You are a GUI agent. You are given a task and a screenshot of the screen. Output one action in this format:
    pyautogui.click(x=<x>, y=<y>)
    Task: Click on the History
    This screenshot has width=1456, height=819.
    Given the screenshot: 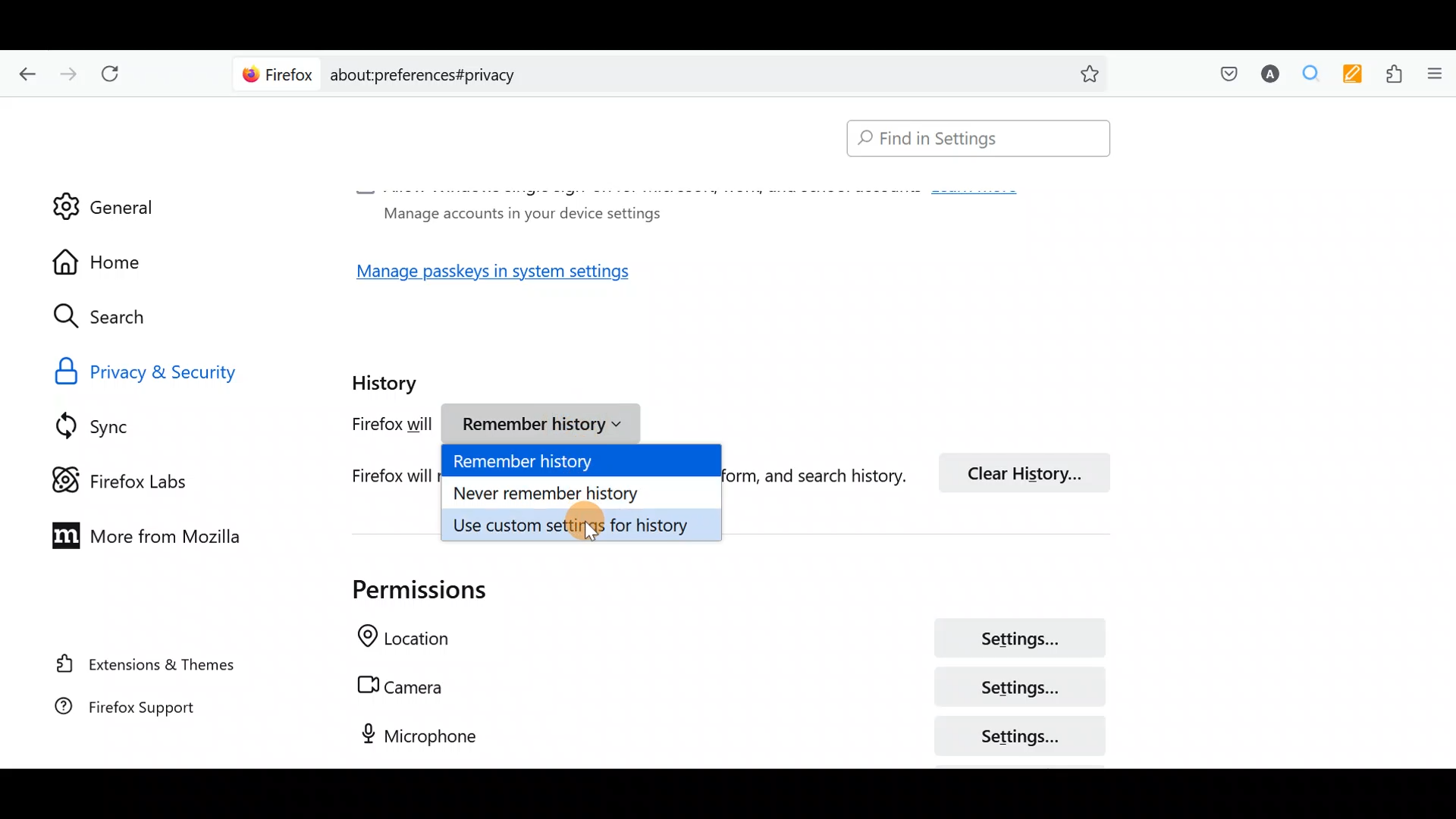 What is the action you would take?
    pyautogui.click(x=388, y=378)
    